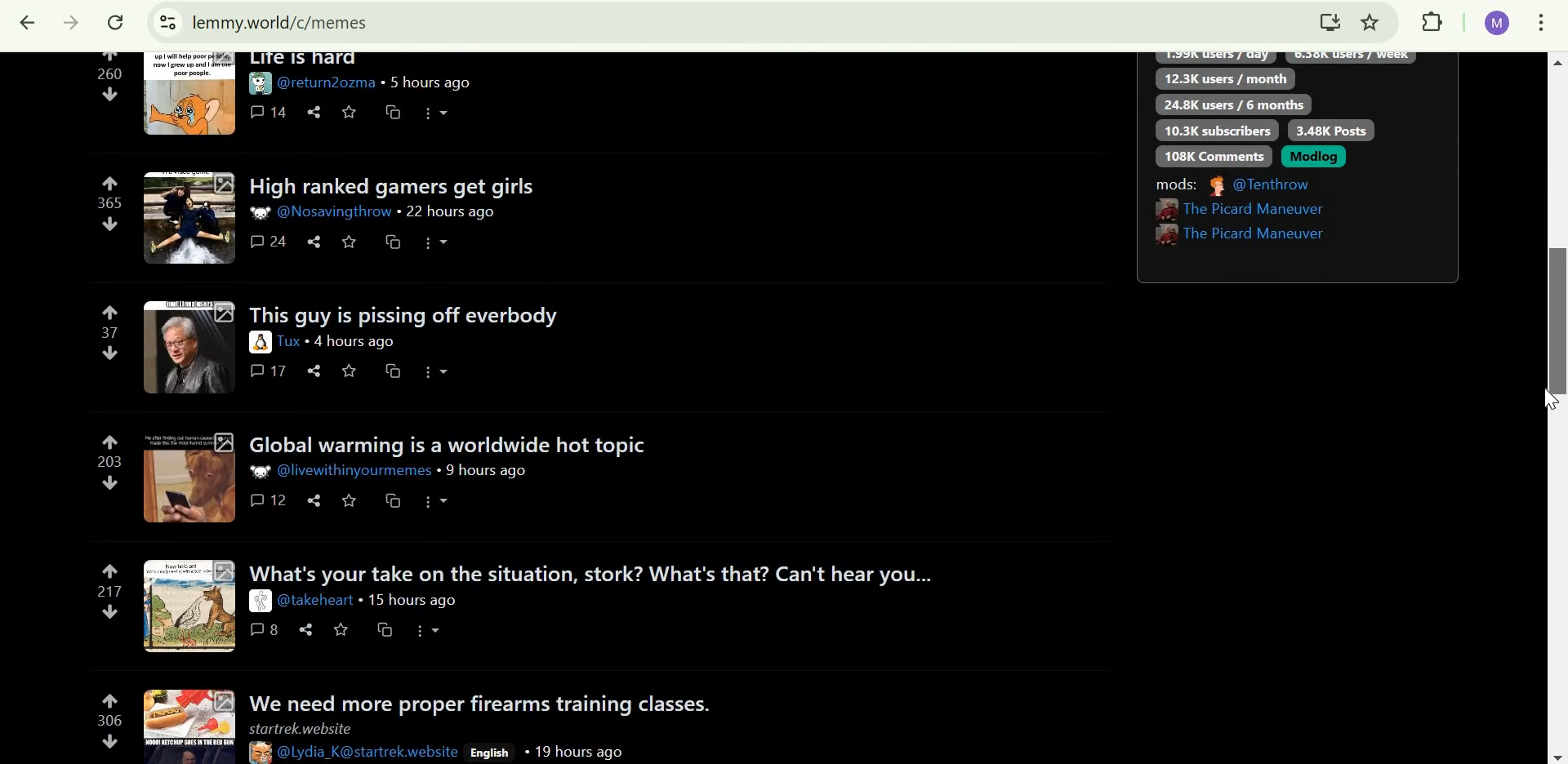 The image size is (1568, 764). What do you see at coordinates (306, 629) in the screenshot?
I see `share` at bounding box center [306, 629].